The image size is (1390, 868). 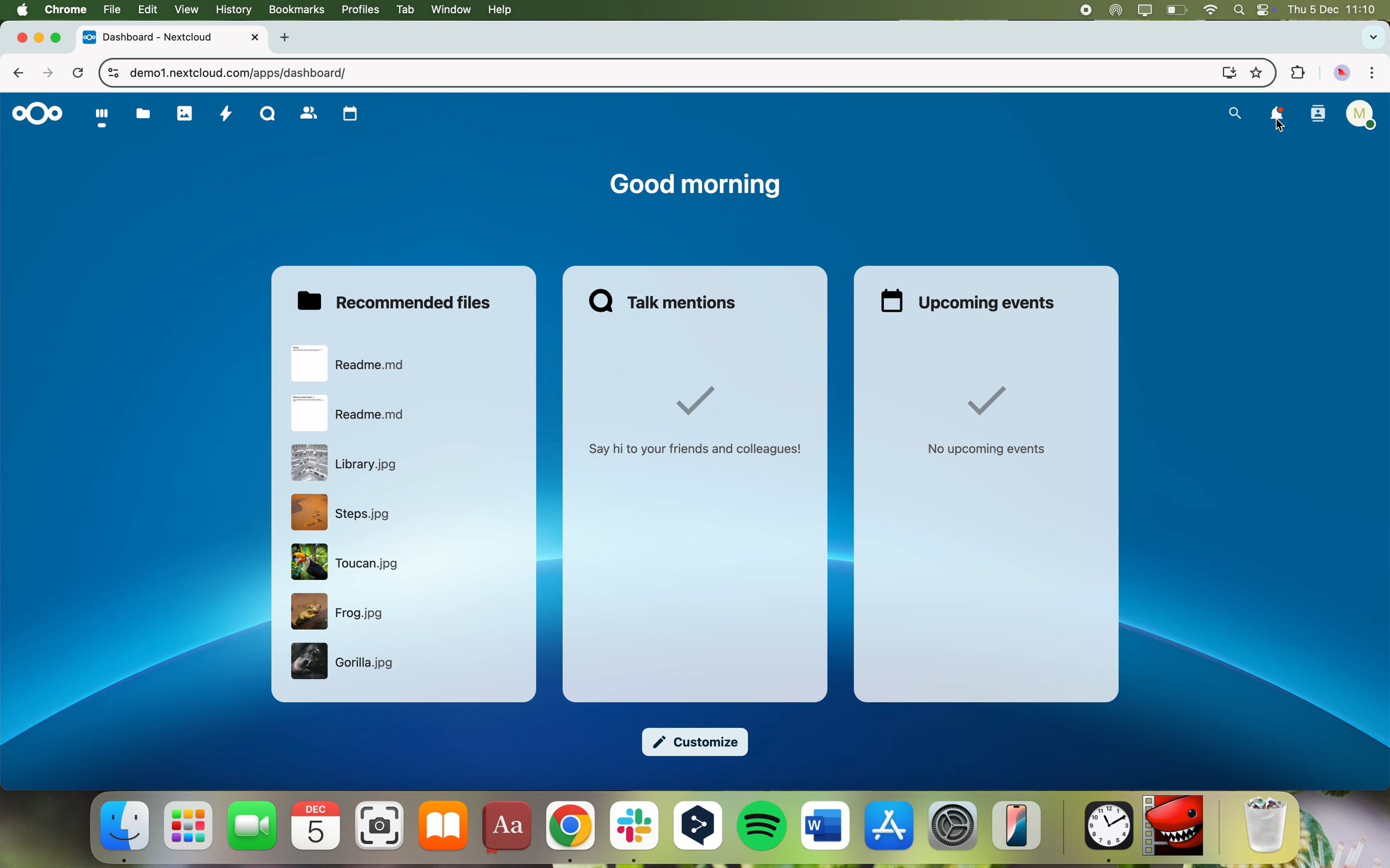 I want to click on calendars, so click(x=350, y=114).